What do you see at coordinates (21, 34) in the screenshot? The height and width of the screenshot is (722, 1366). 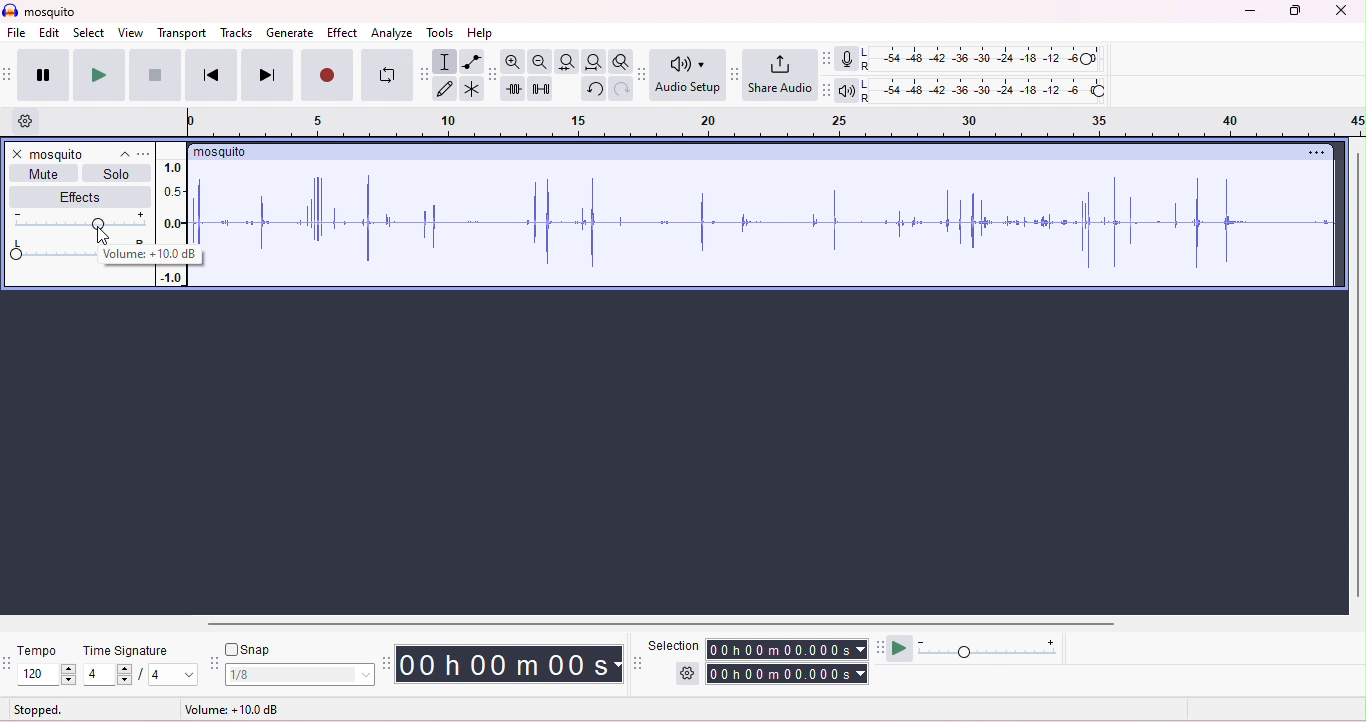 I see `file` at bounding box center [21, 34].